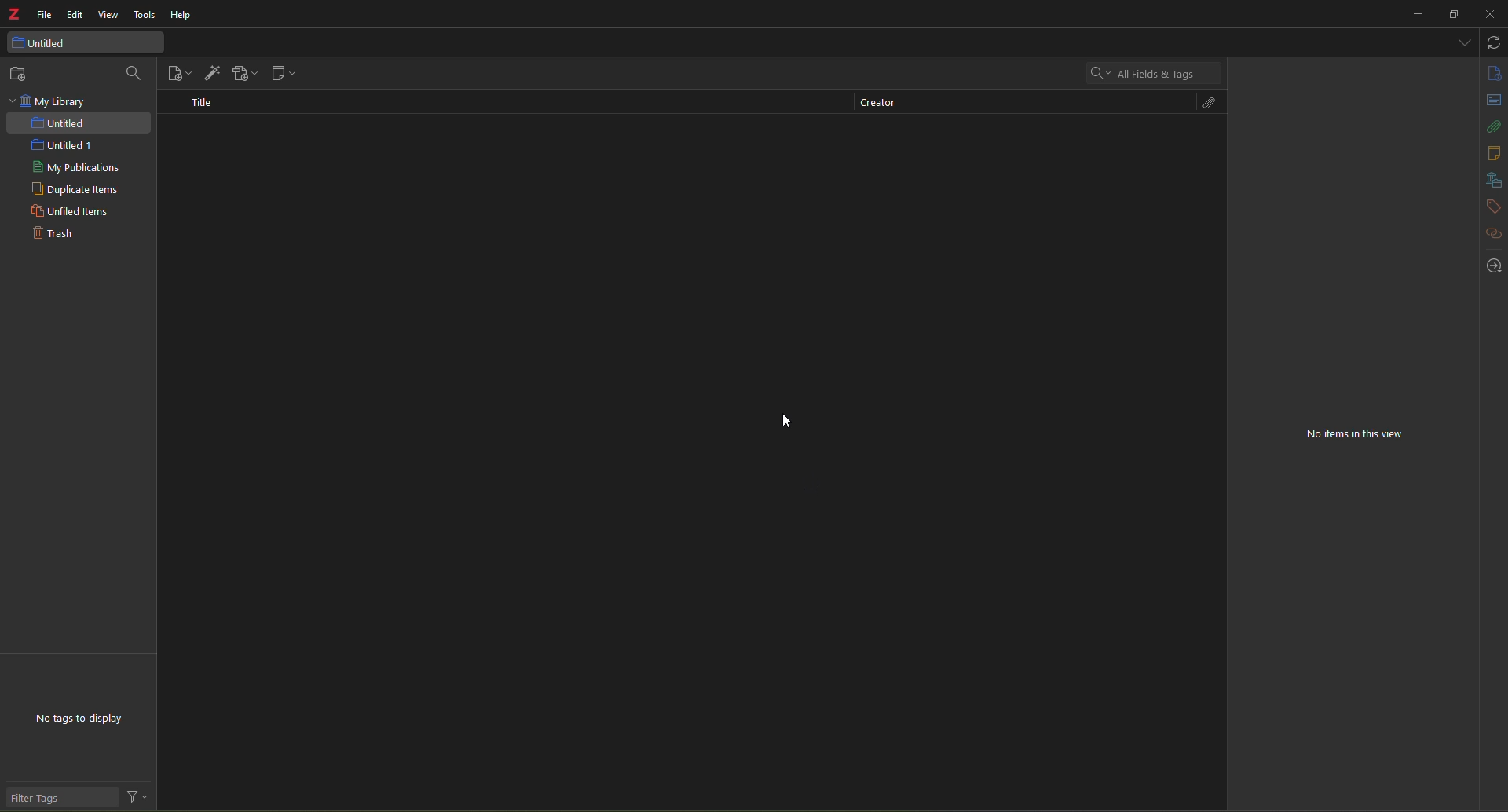 This screenshot has width=1508, height=812. What do you see at coordinates (1492, 181) in the screenshot?
I see `library` at bounding box center [1492, 181].